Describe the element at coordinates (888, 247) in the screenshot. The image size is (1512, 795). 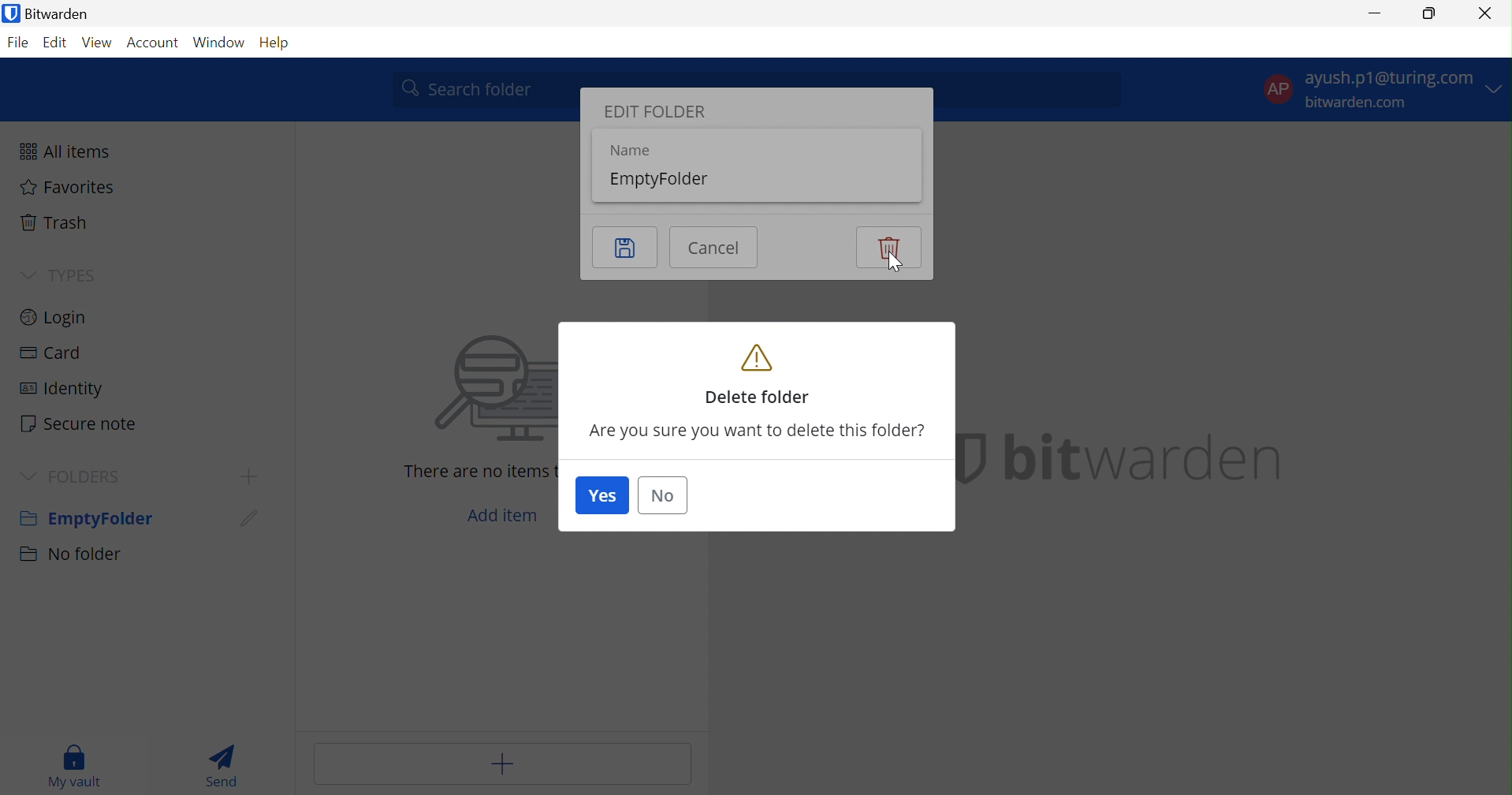
I see `Delete` at that location.